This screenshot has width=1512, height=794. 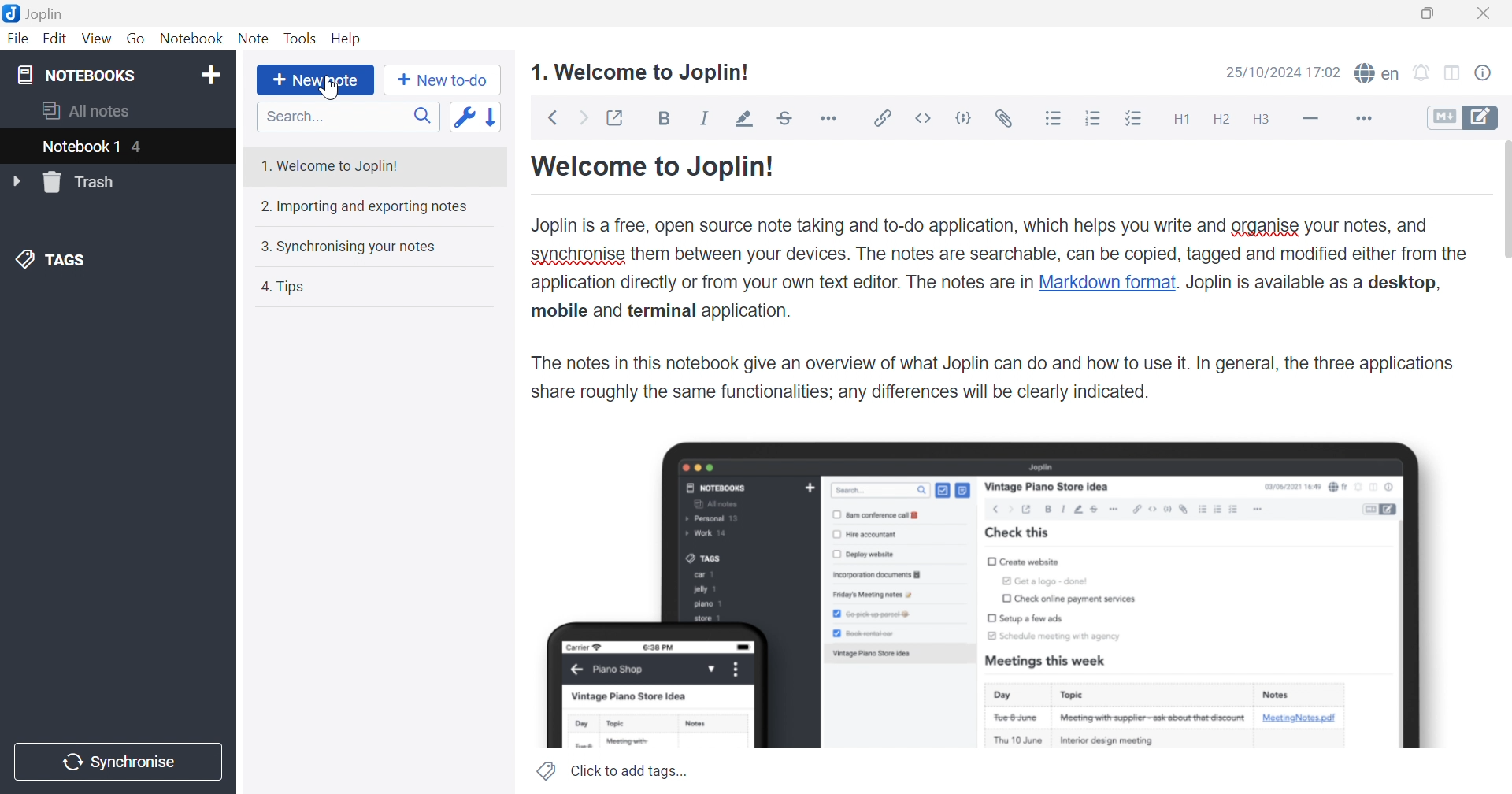 What do you see at coordinates (654, 168) in the screenshot?
I see `Welcome to Joplin!` at bounding box center [654, 168].